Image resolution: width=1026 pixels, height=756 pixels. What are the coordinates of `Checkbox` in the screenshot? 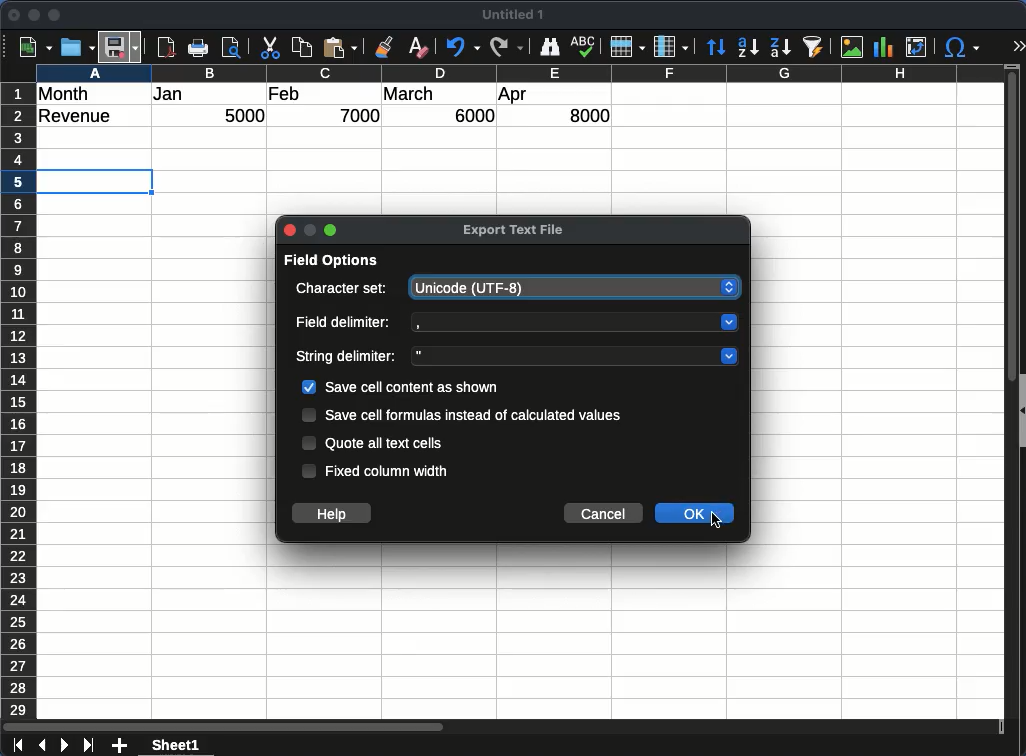 It's located at (309, 443).